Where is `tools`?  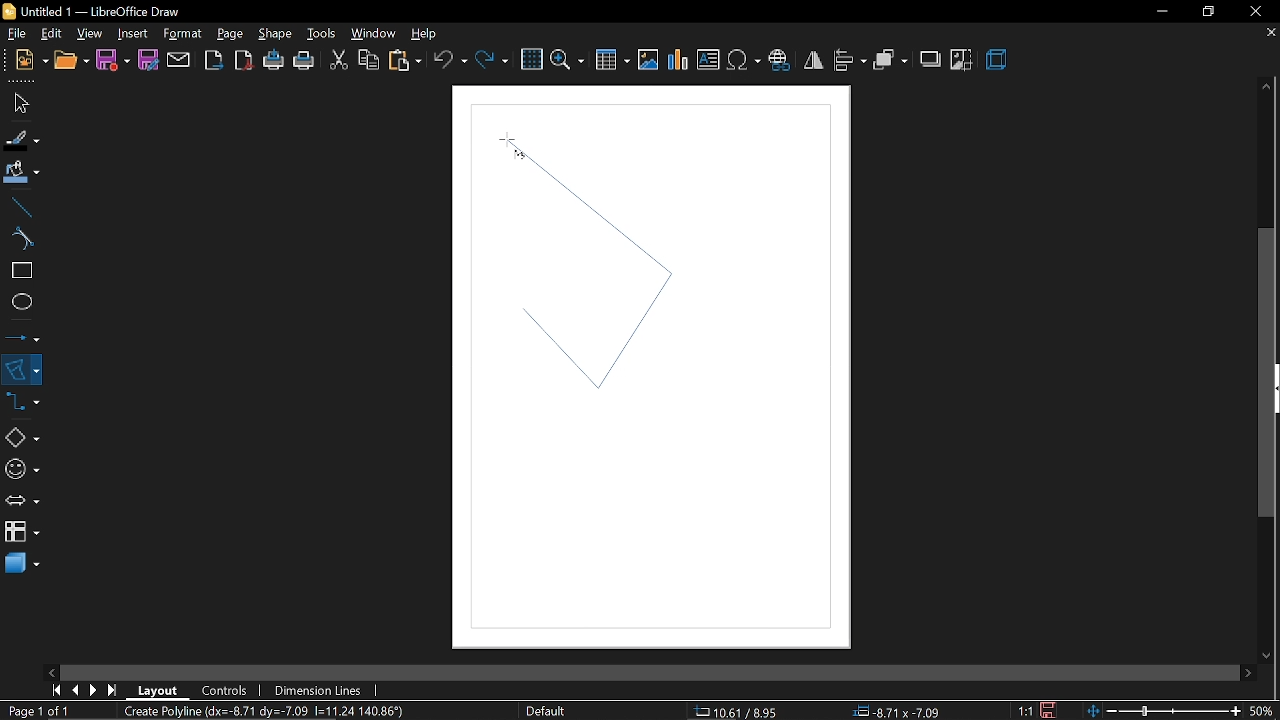
tools is located at coordinates (321, 34).